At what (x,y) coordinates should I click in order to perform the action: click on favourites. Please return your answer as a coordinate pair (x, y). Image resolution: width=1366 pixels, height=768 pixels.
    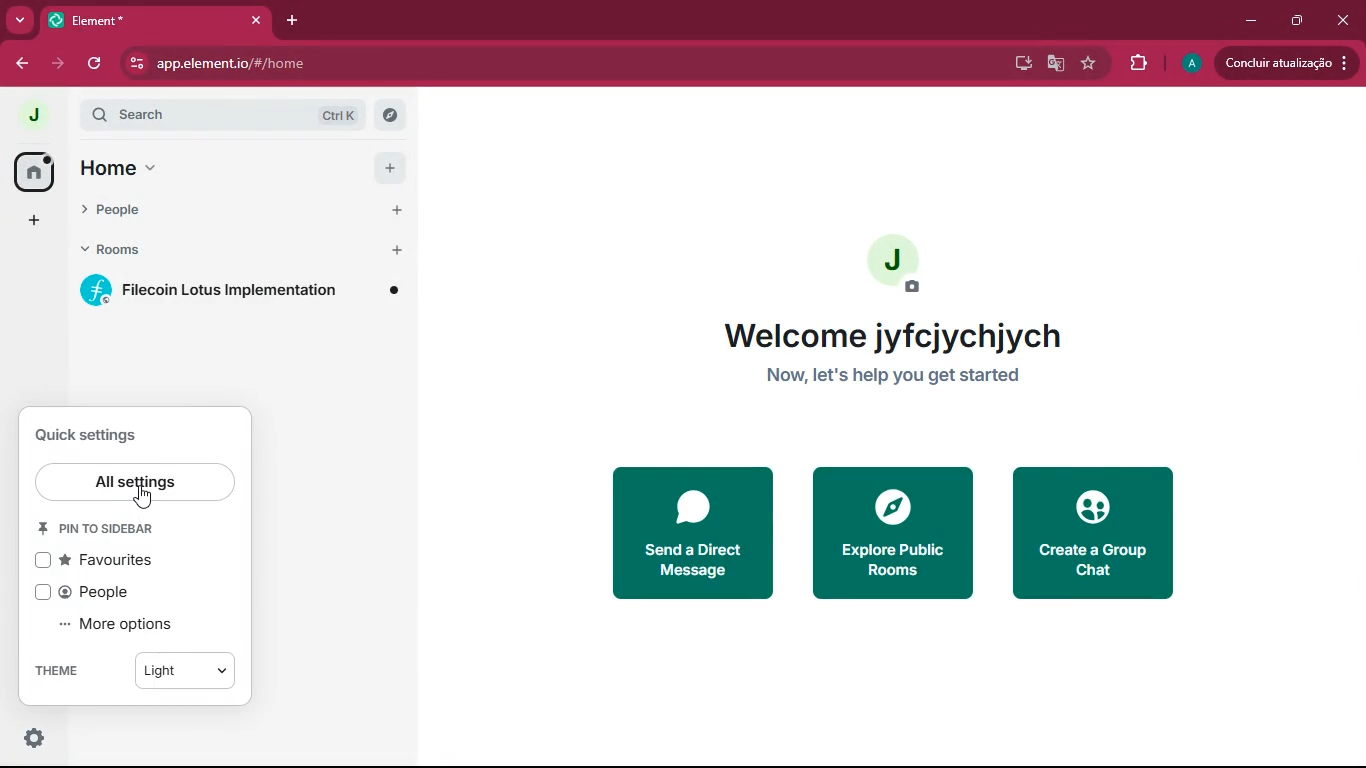
    Looking at the image, I should click on (102, 560).